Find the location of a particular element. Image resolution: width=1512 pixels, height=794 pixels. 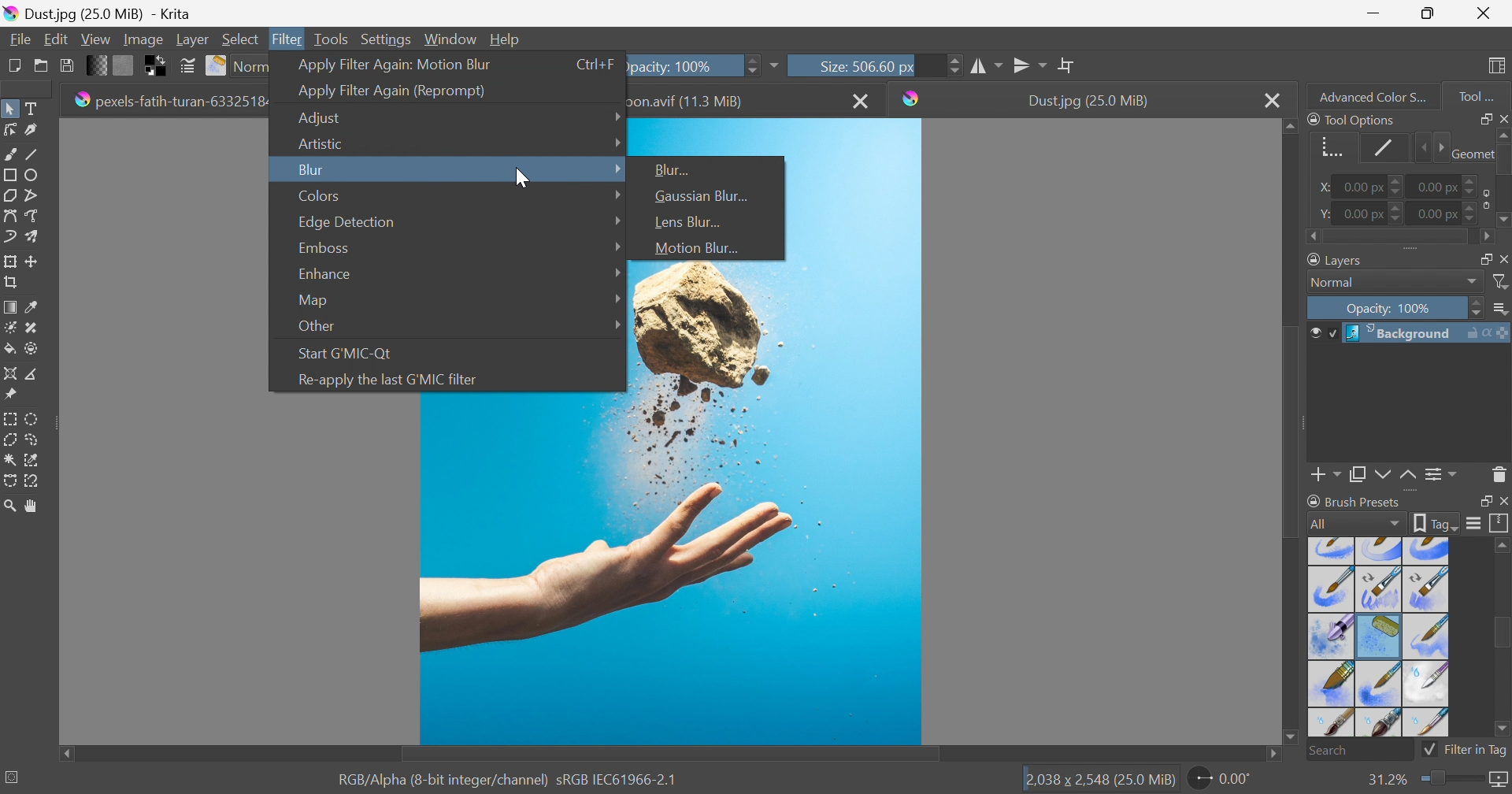

Polyline tool is located at coordinates (38, 194).